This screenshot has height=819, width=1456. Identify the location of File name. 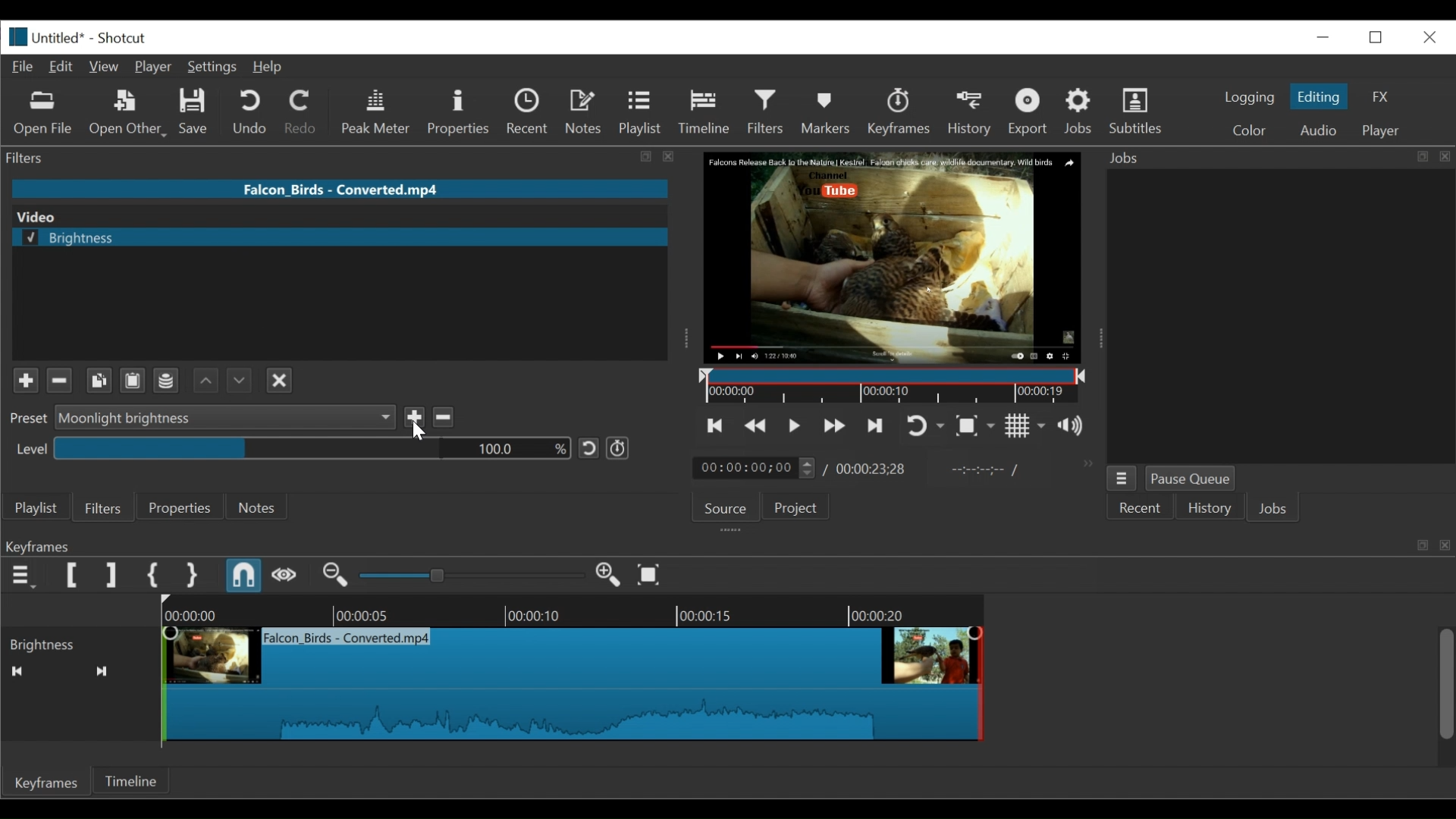
(340, 189).